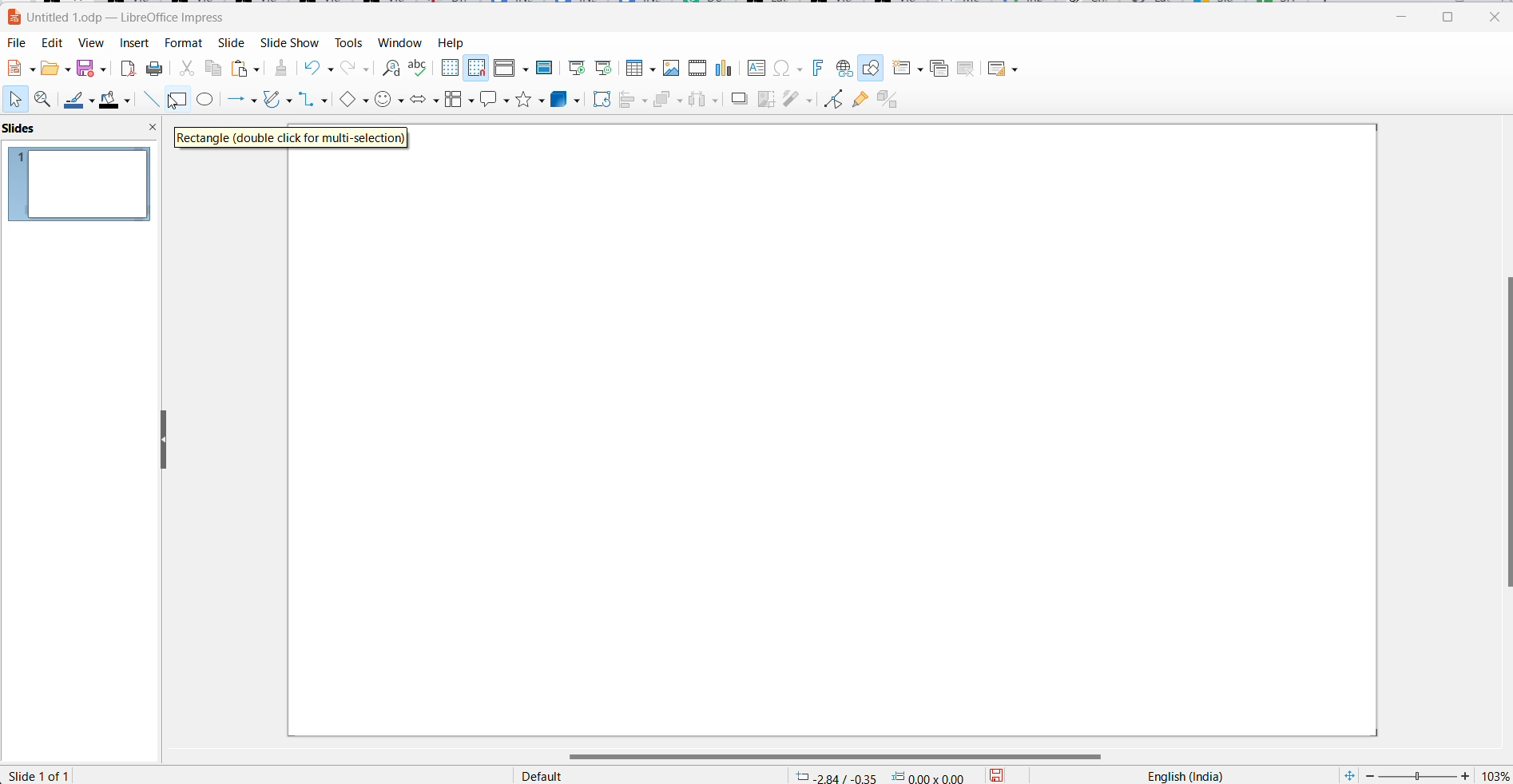 The image size is (1513, 784). Describe the element at coordinates (18, 44) in the screenshot. I see `File` at that location.